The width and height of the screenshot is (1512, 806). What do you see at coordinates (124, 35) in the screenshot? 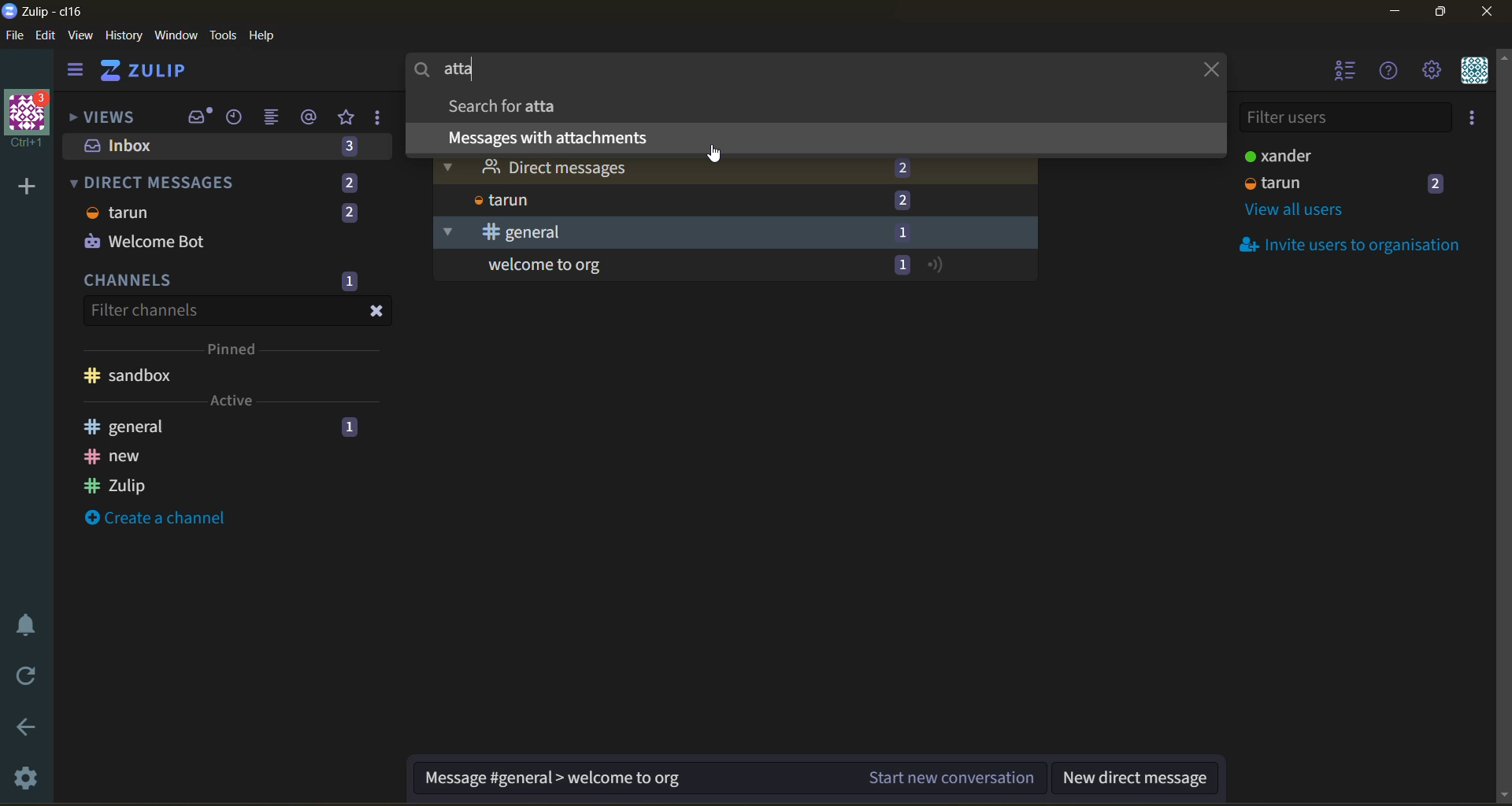
I see `history` at bounding box center [124, 35].